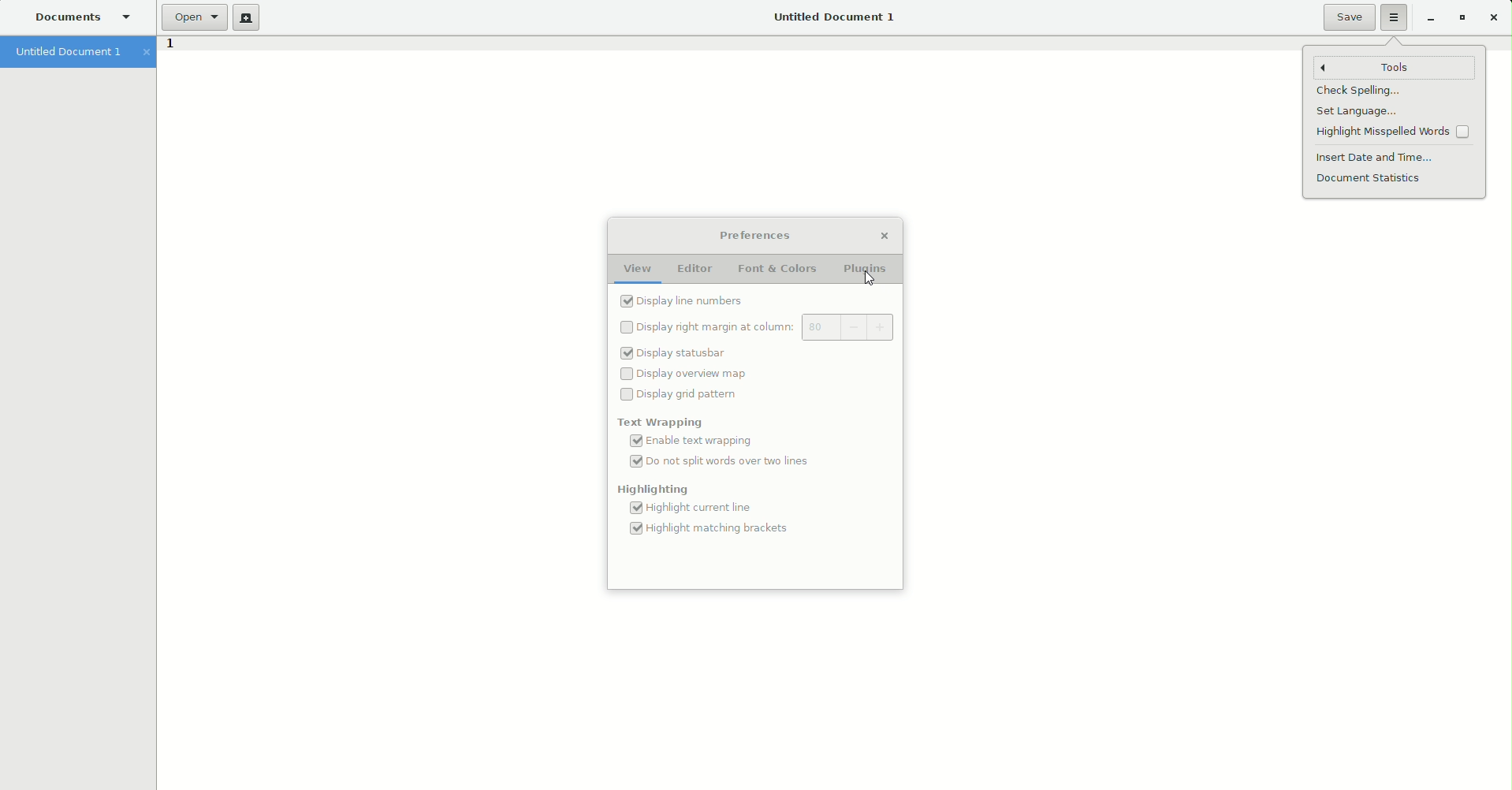 This screenshot has width=1512, height=790. What do you see at coordinates (694, 269) in the screenshot?
I see `Editor` at bounding box center [694, 269].